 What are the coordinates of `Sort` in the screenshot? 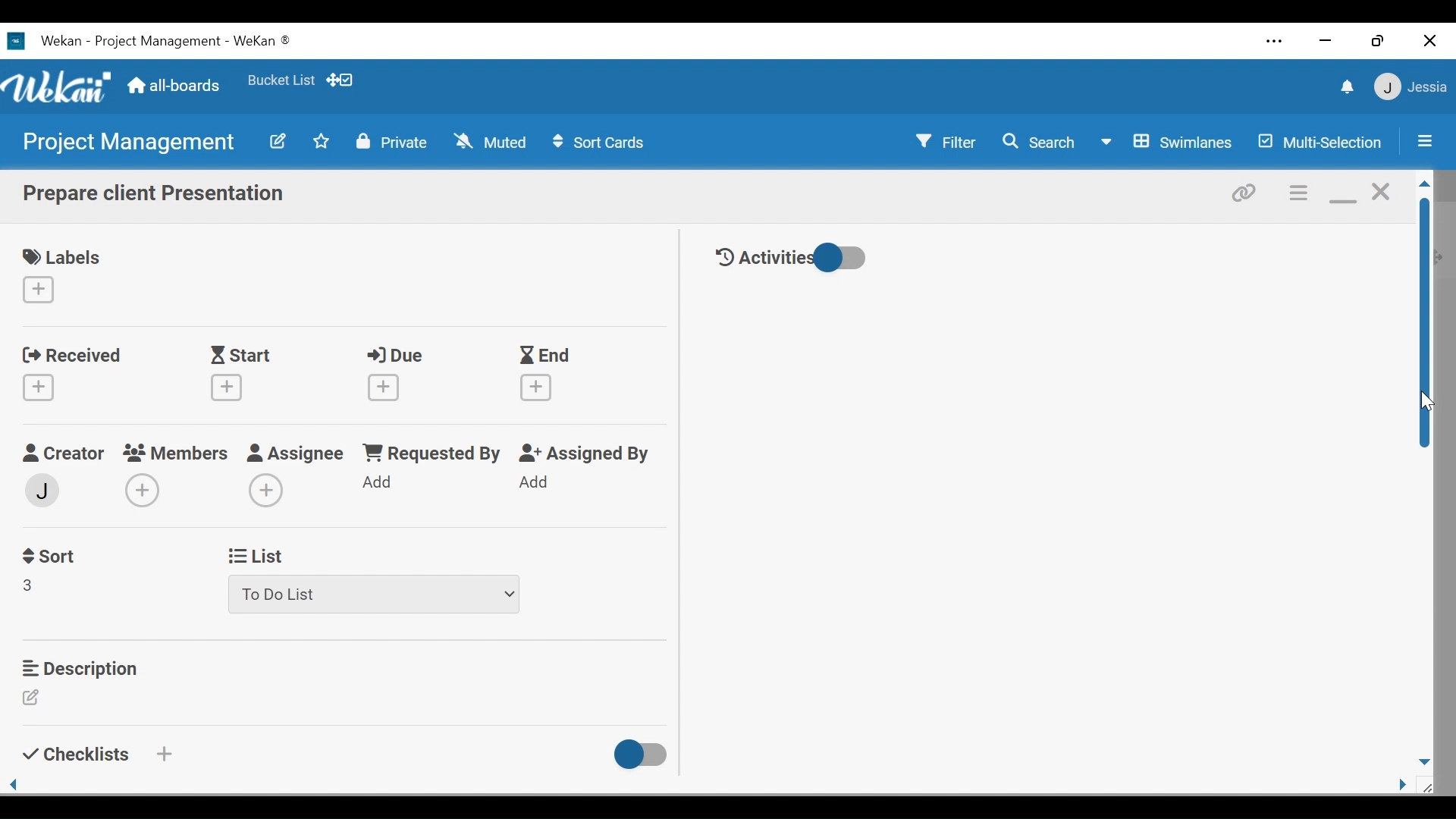 It's located at (51, 556).